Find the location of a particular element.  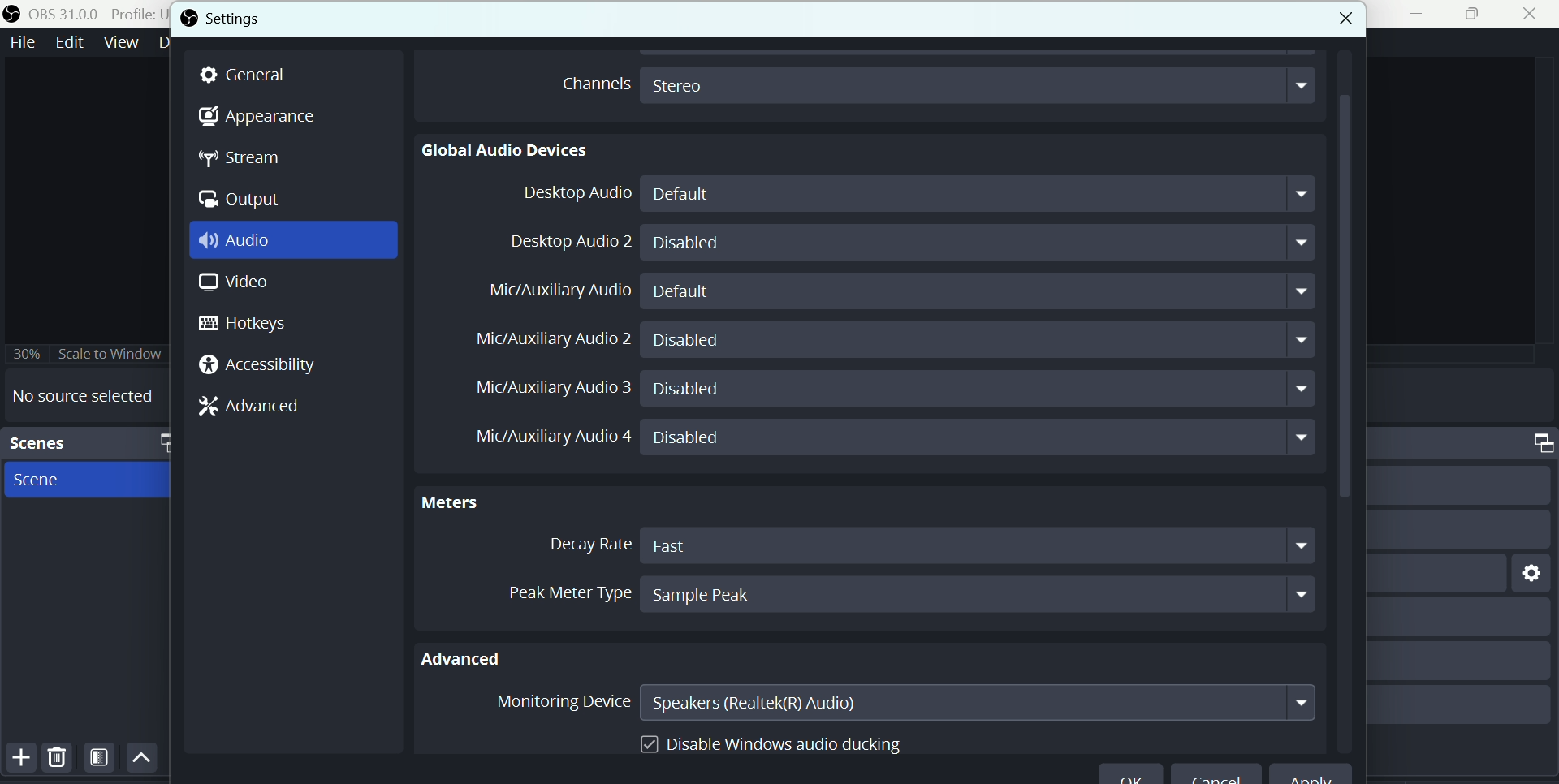

Meters is located at coordinates (463, 500).